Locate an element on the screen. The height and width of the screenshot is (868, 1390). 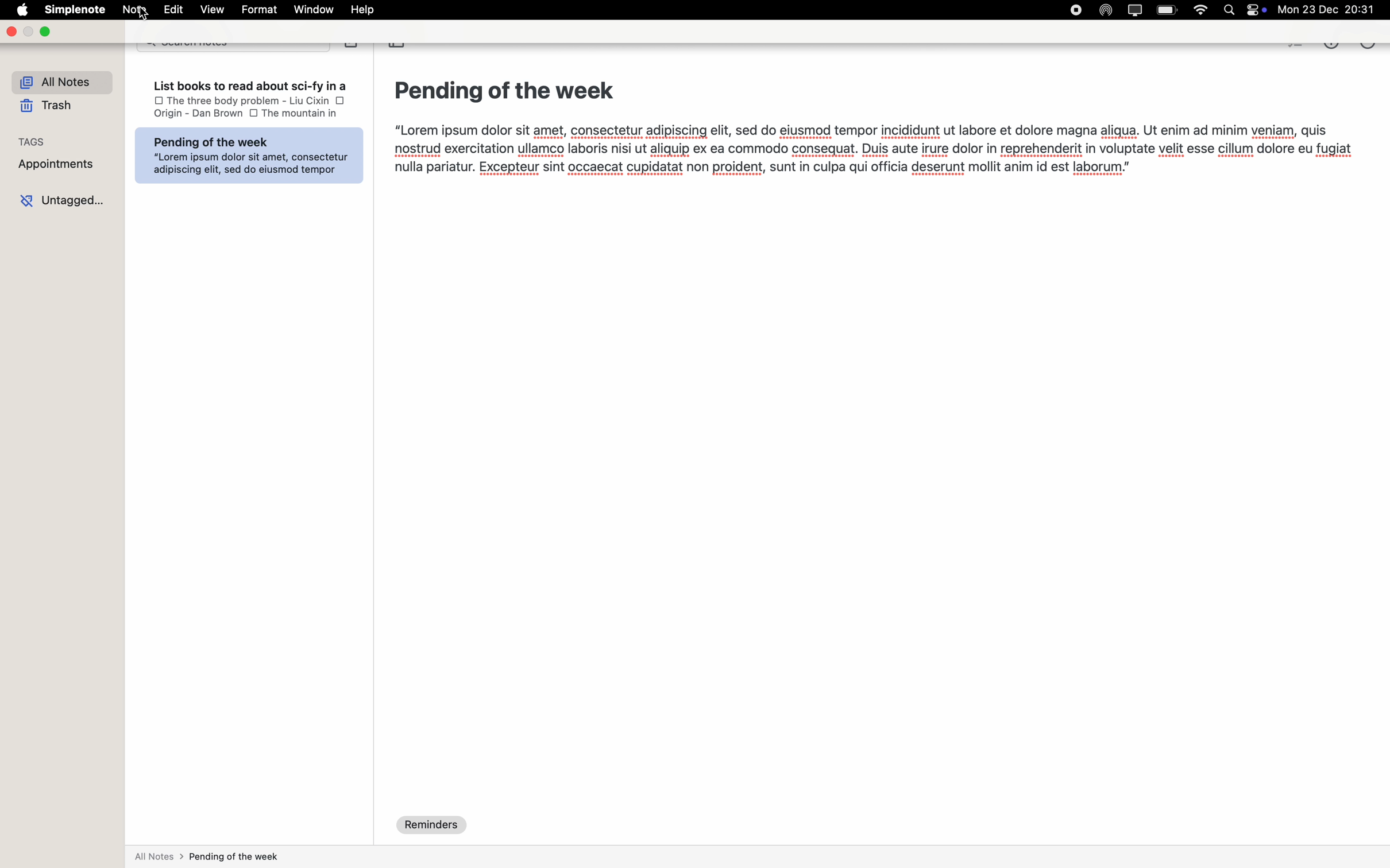
metrics is located at coordinates (1331, 49).